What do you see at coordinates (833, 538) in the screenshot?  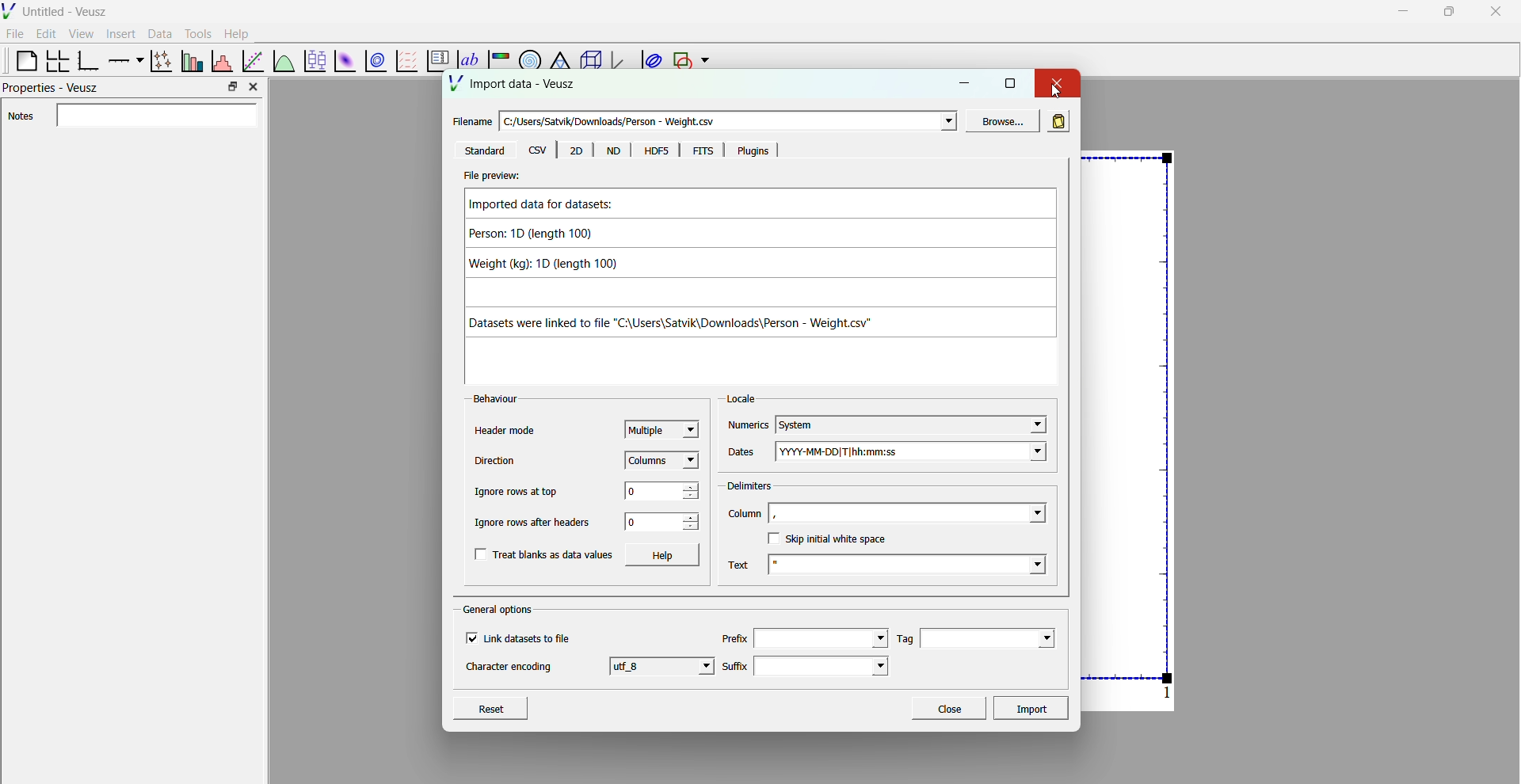 I see ` SKIp inital white space` at bounding box center [833, 538].